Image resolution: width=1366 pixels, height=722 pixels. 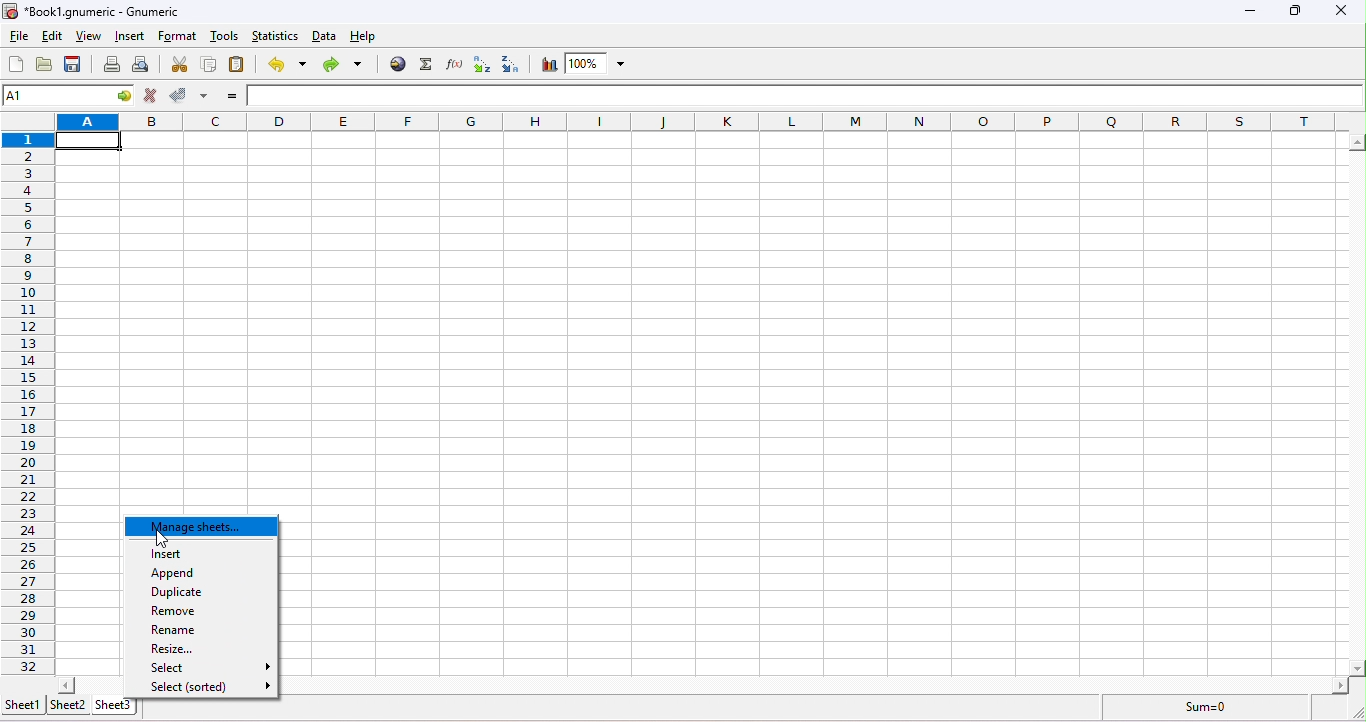 What do you see at coordinates (29, 392) in the screenshot?
I see `rows` at bounding box center [29, 392].